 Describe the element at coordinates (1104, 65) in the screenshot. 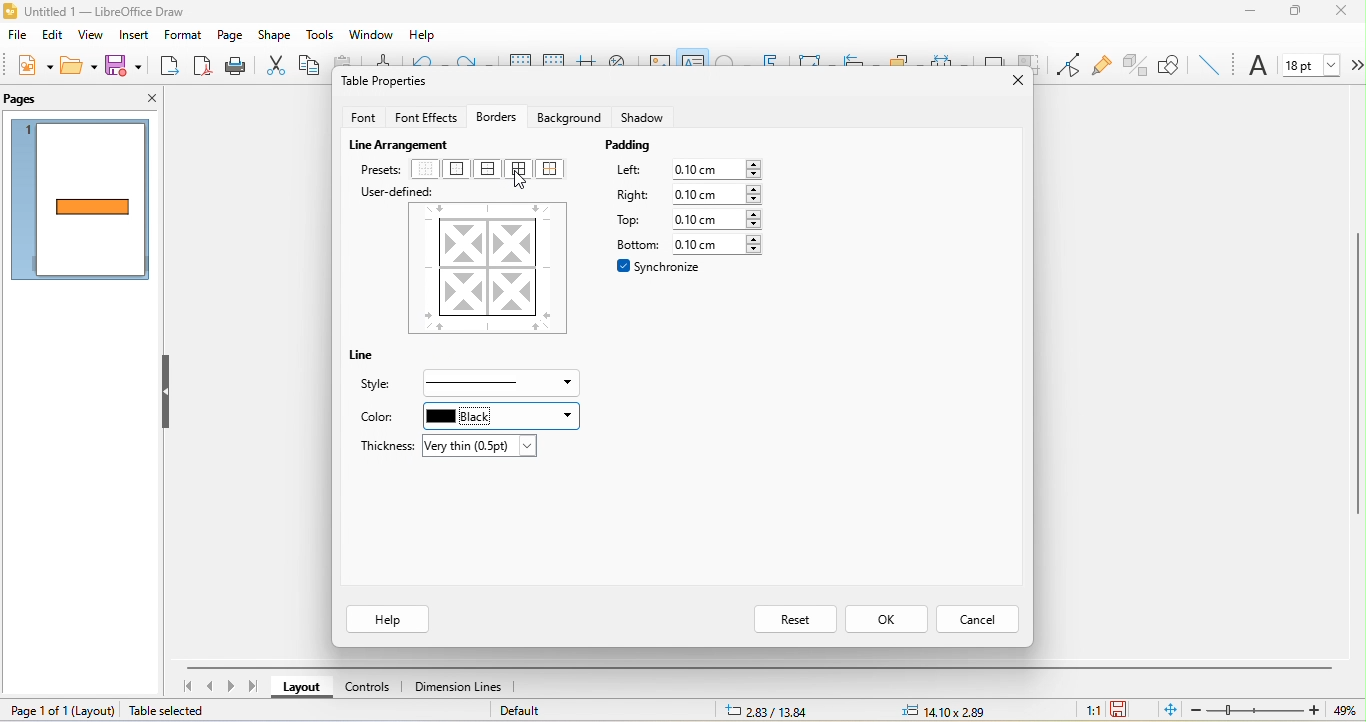

I see `gluepoint function` at that location.